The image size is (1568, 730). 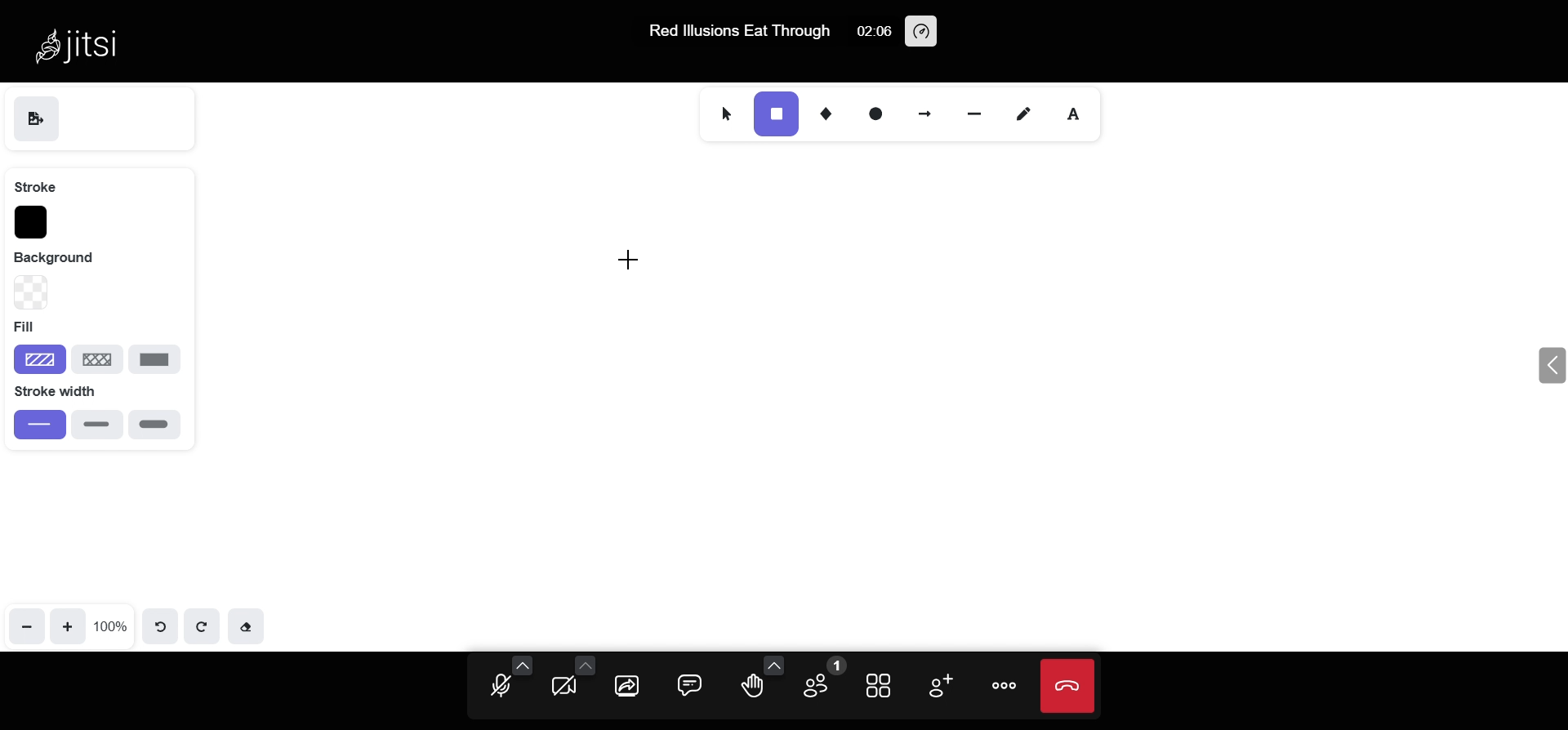 What do you see at coordinates (775, 114) in the screenshot?
I see `rectangle` at bounding box center [775, 114].